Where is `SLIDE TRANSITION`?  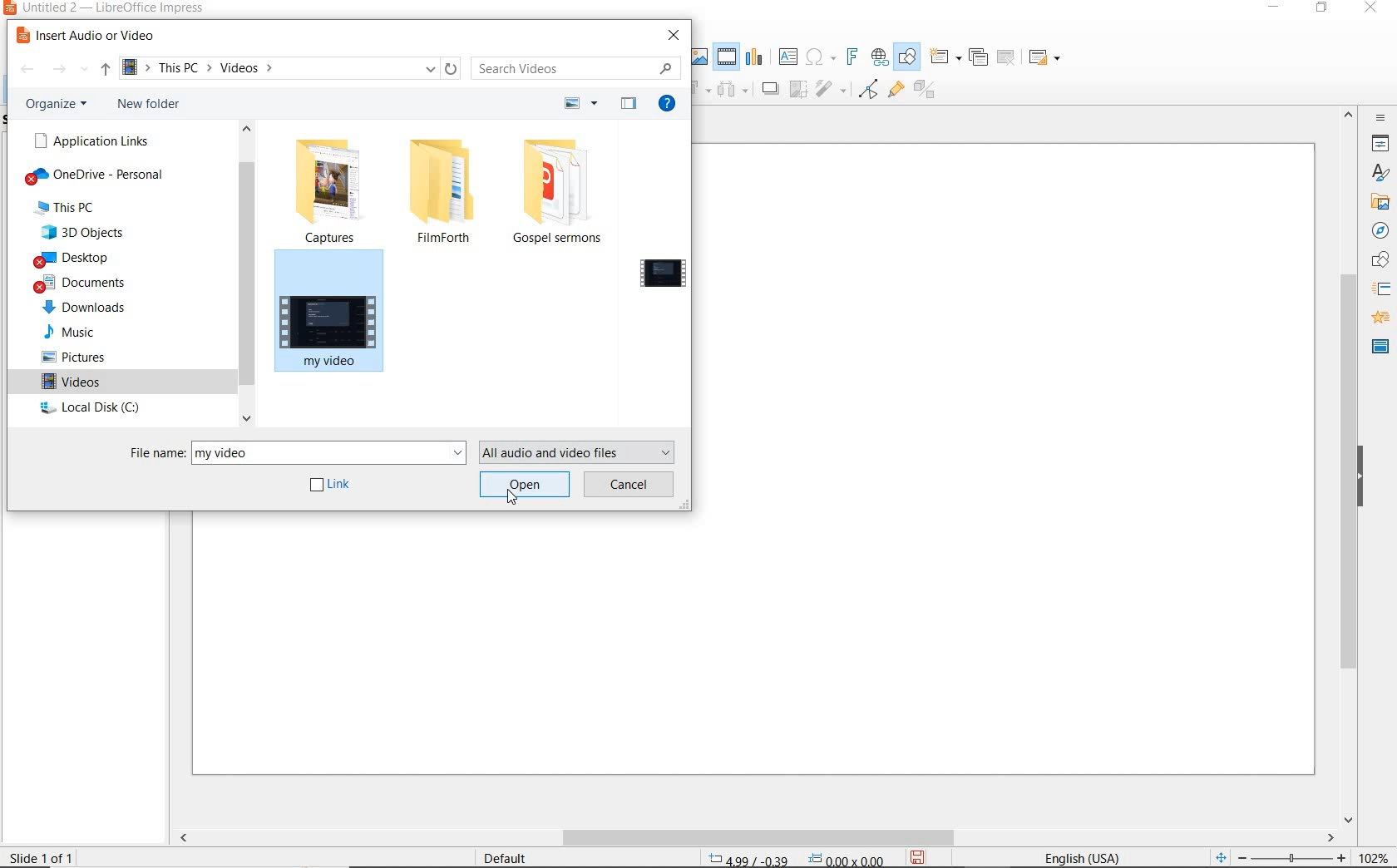 SLIDE TRANSITION is located at coordinates (1382, 290).